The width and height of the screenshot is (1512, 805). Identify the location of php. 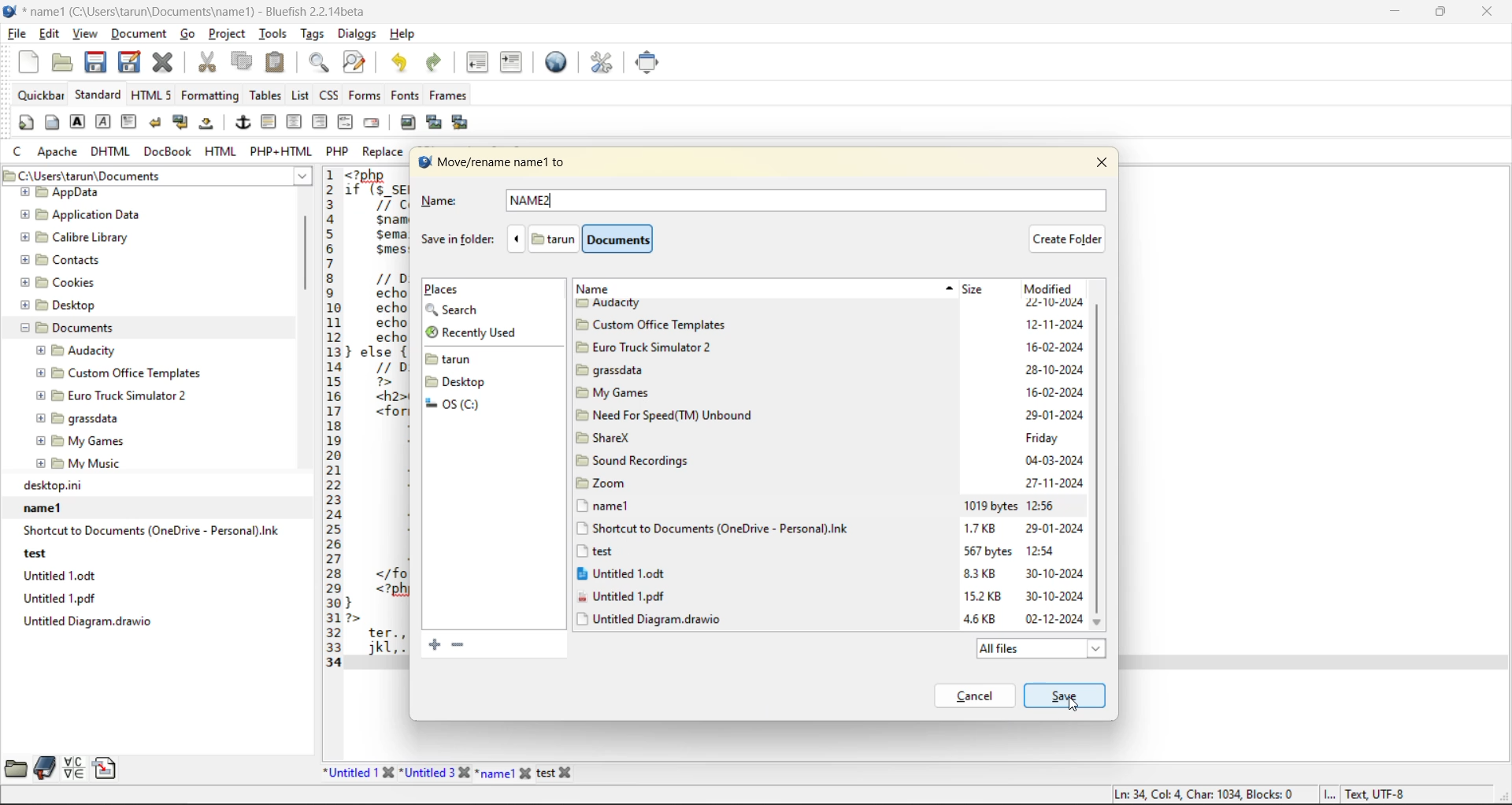
(340, 150).